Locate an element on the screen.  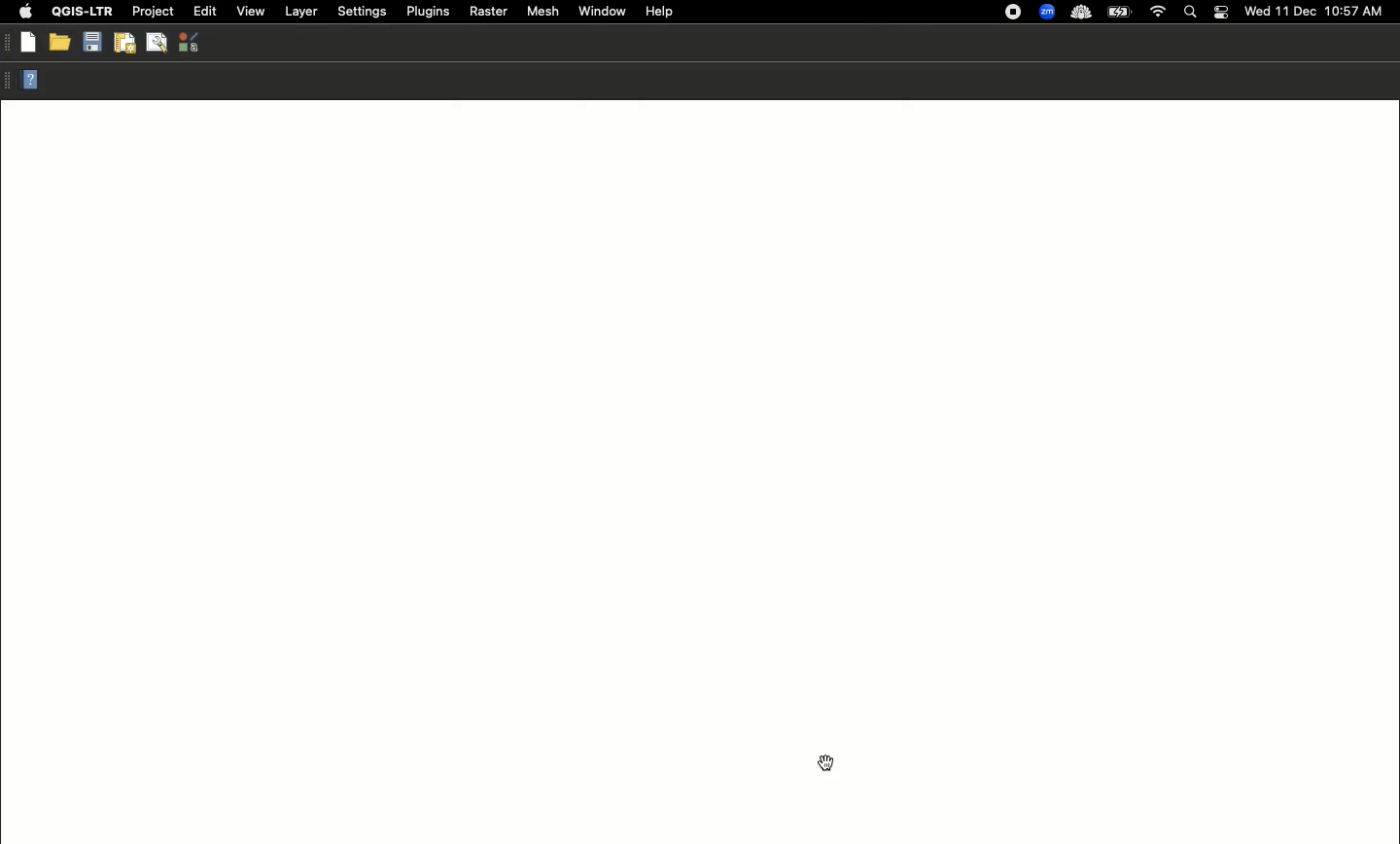
Help is located at coordinates (30, 82).